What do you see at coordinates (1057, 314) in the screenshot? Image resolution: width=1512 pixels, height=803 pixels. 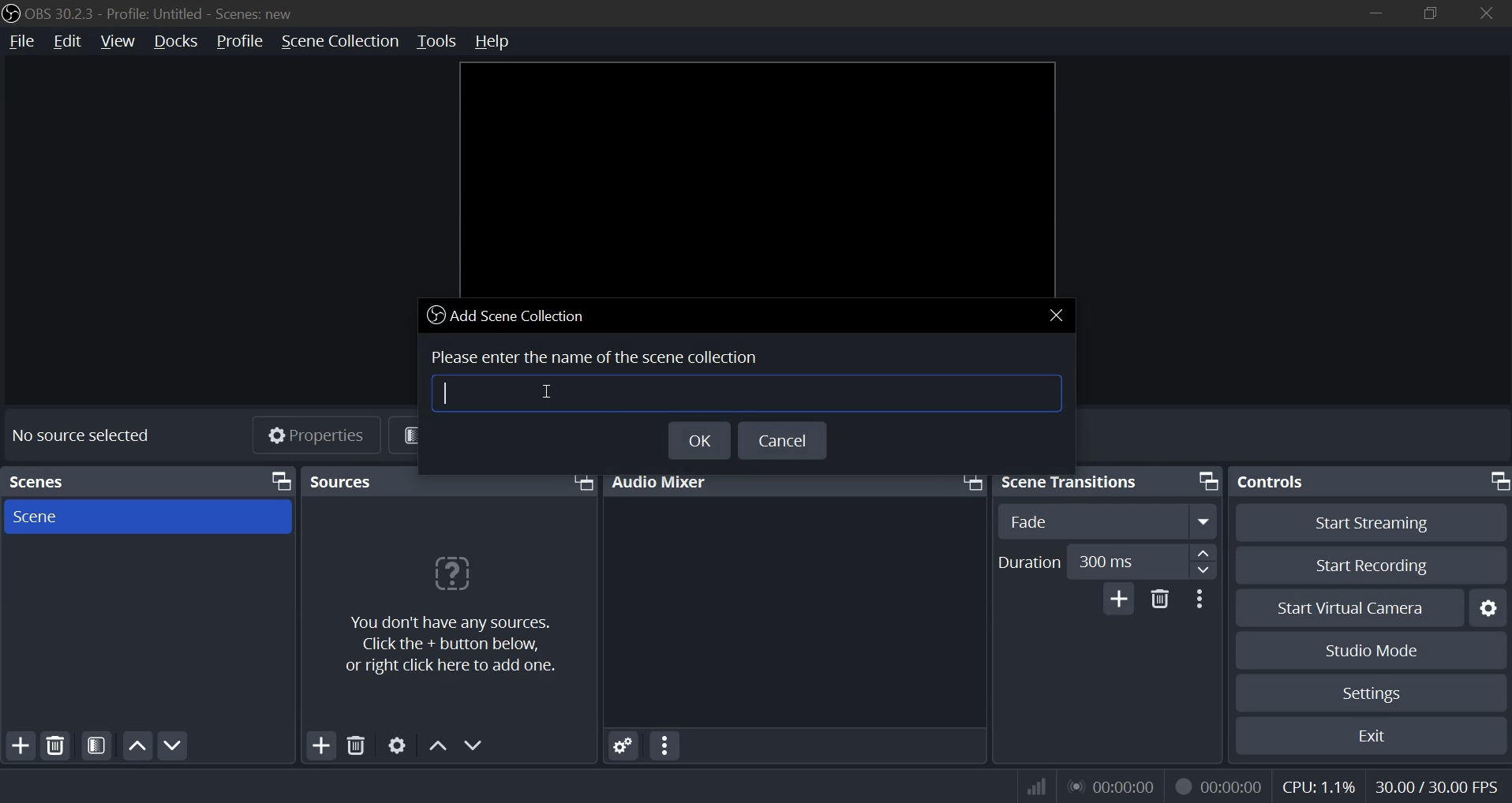 I see `close` at bounding box center [1057, 314].